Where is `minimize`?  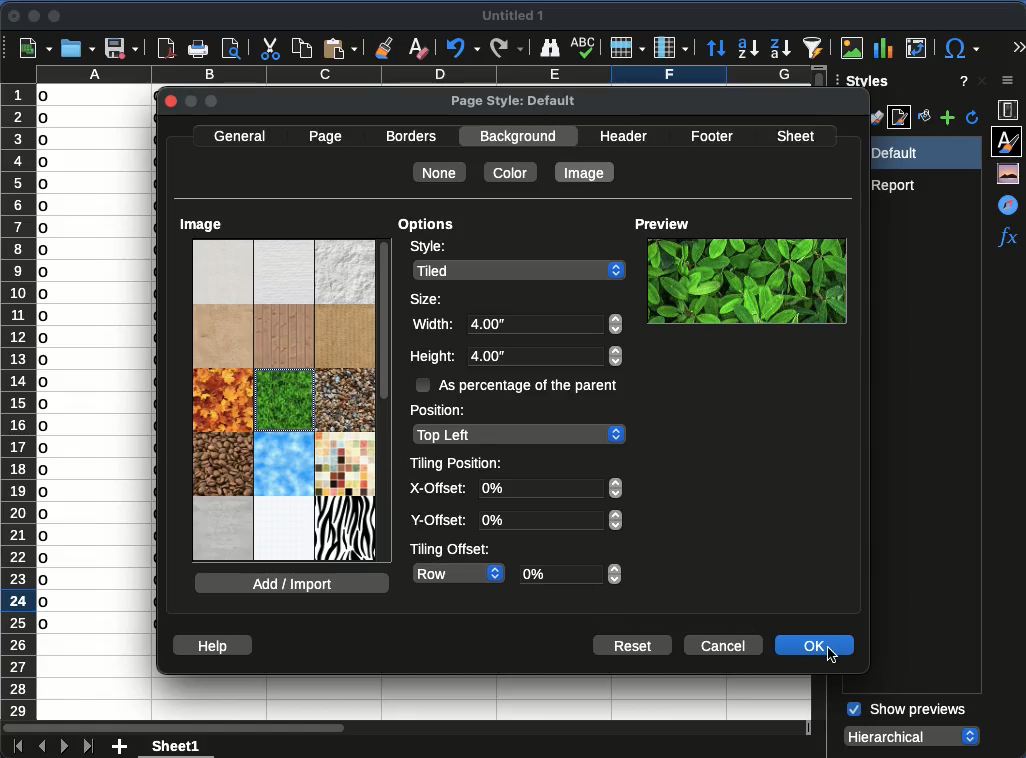
minimize is located at coordinates (33, 16).